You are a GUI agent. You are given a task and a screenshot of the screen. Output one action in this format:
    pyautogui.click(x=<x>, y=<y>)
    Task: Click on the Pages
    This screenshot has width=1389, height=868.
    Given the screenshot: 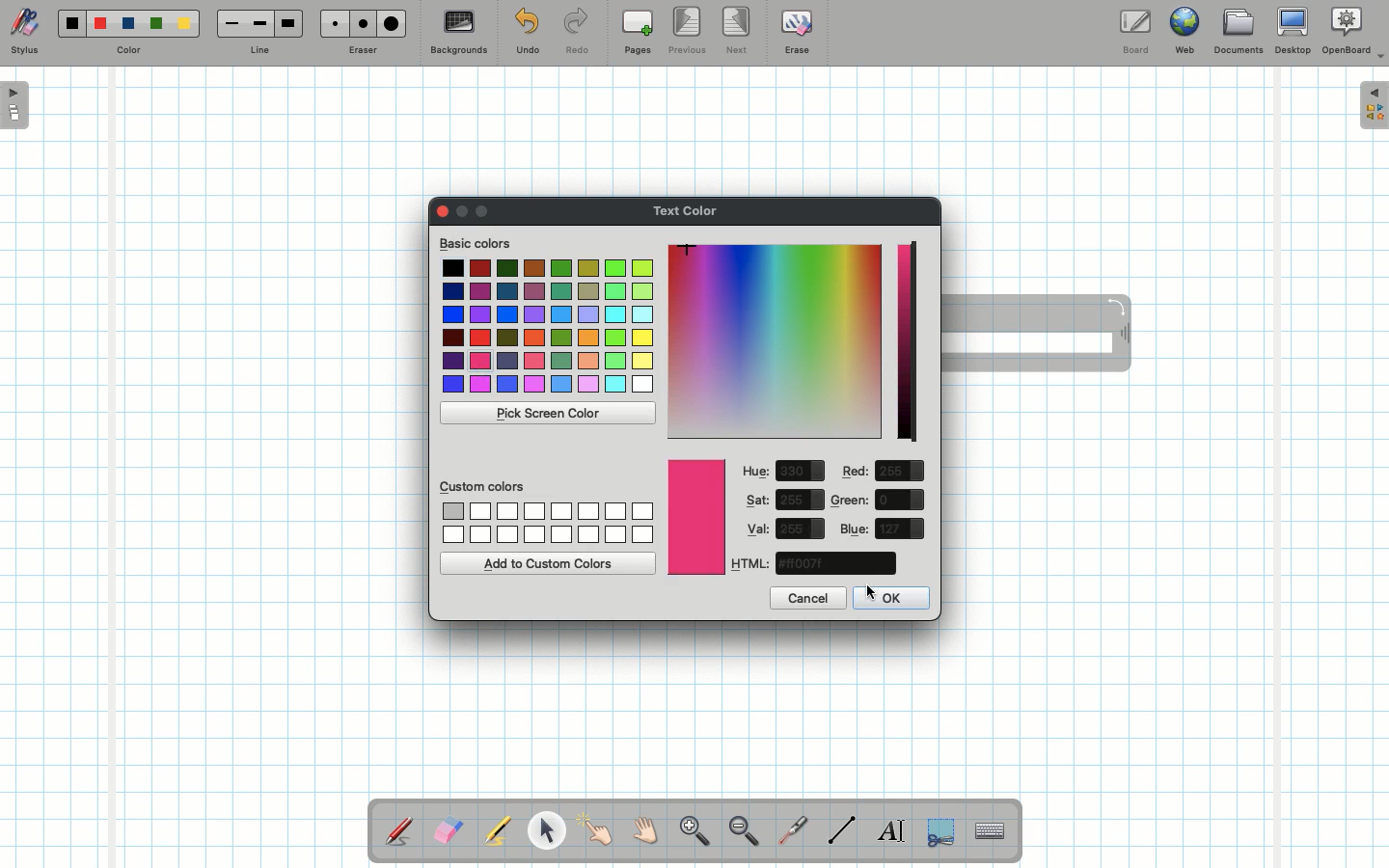 What is the action you would take?
    pyautogui.click(x=638, y=34)
    